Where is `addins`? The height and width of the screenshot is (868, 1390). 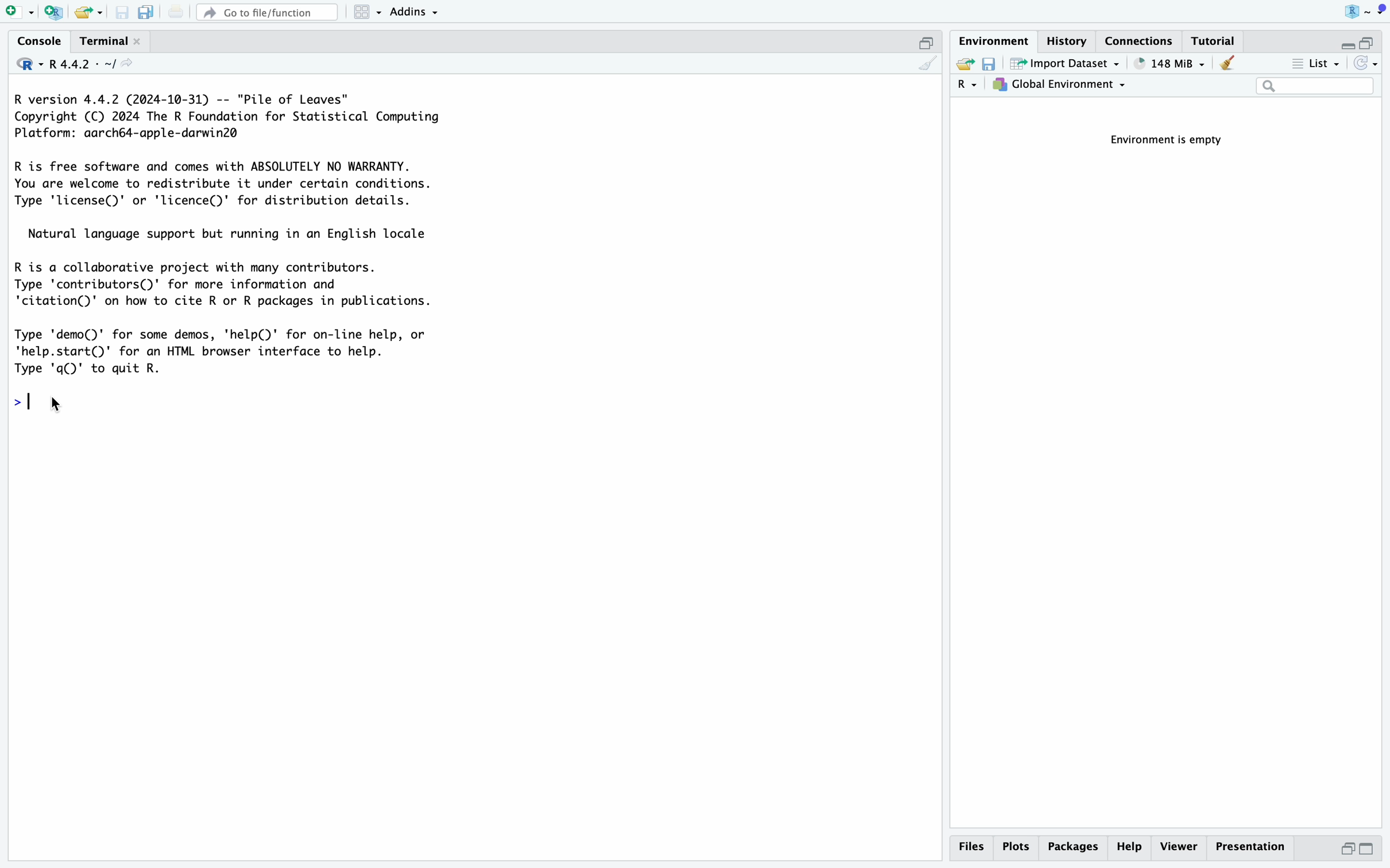 addins is located at coordinates (415, 11).